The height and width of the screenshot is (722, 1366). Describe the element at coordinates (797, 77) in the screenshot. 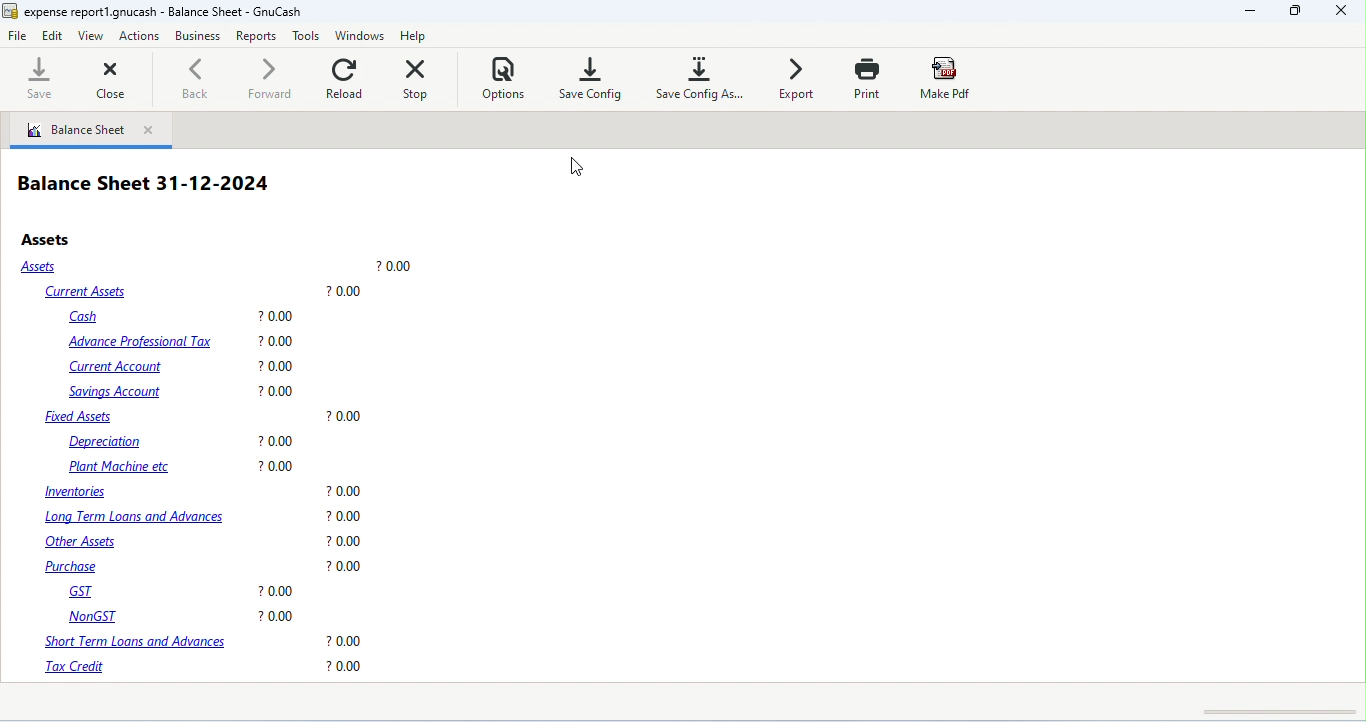

I see `export` at that location.